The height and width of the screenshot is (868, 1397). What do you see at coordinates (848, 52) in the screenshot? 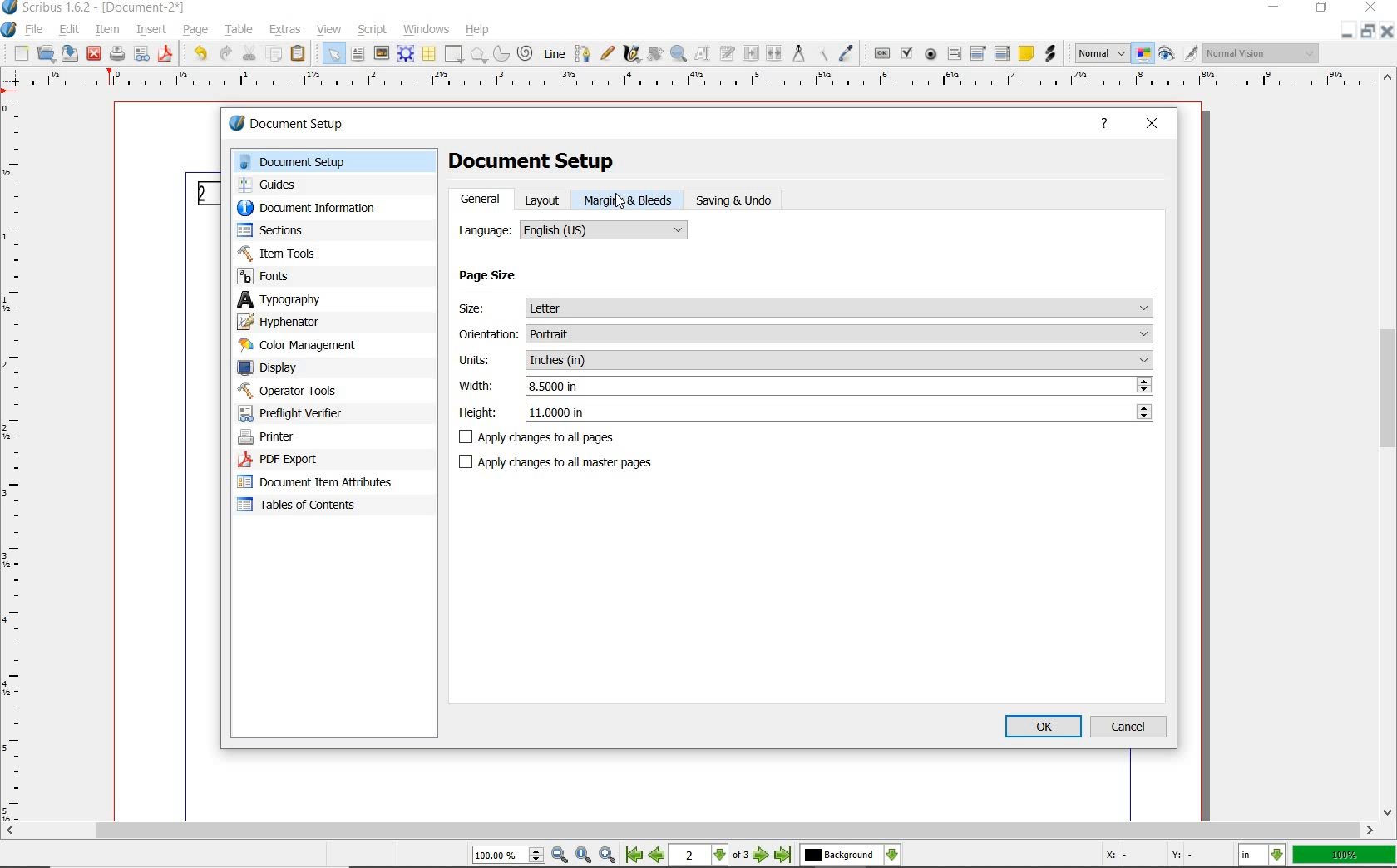
I see `eye dropper` at bounding box center [848, 52].